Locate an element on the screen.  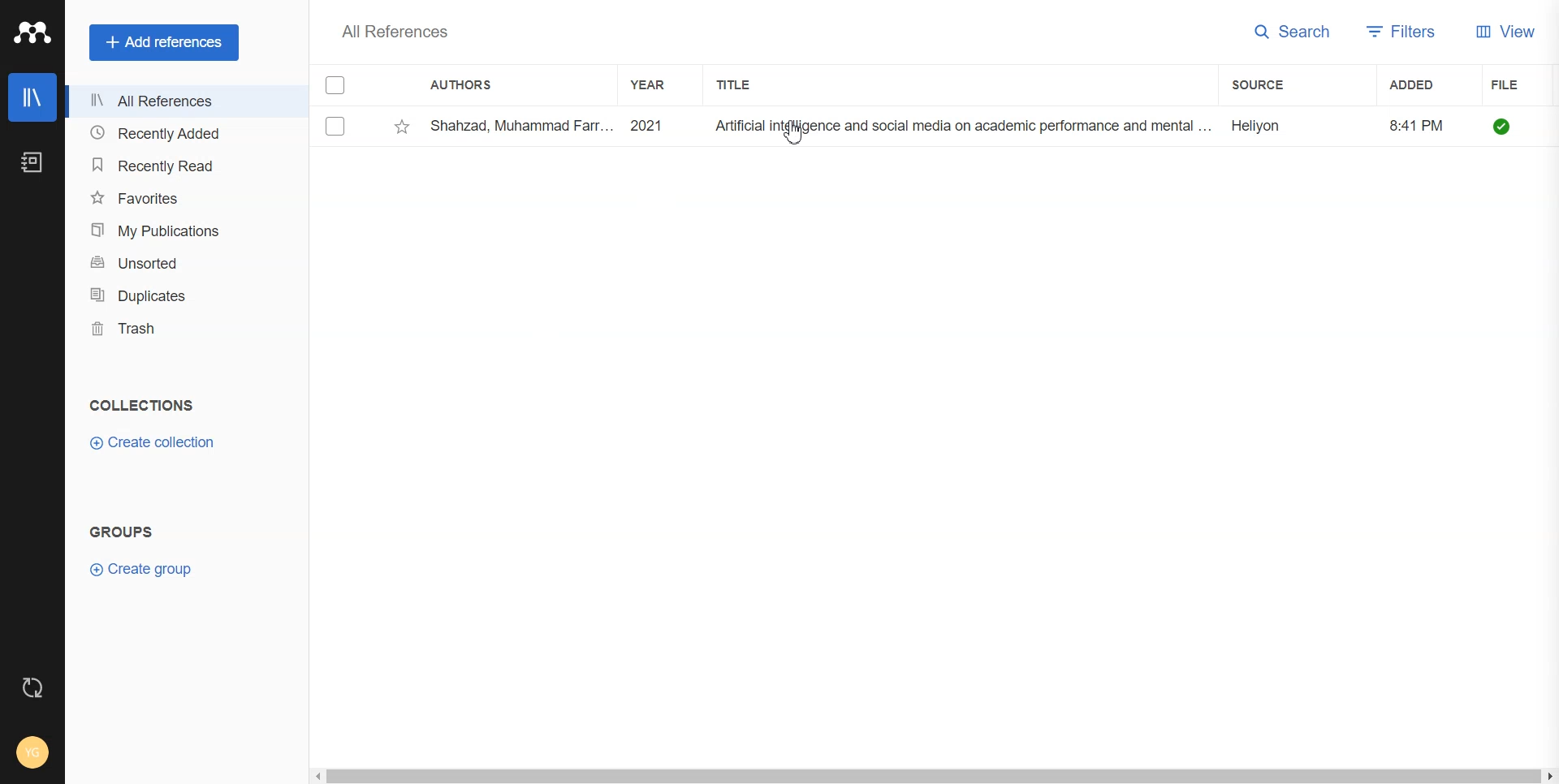
Recently Read is located at coordinates (183, 165).